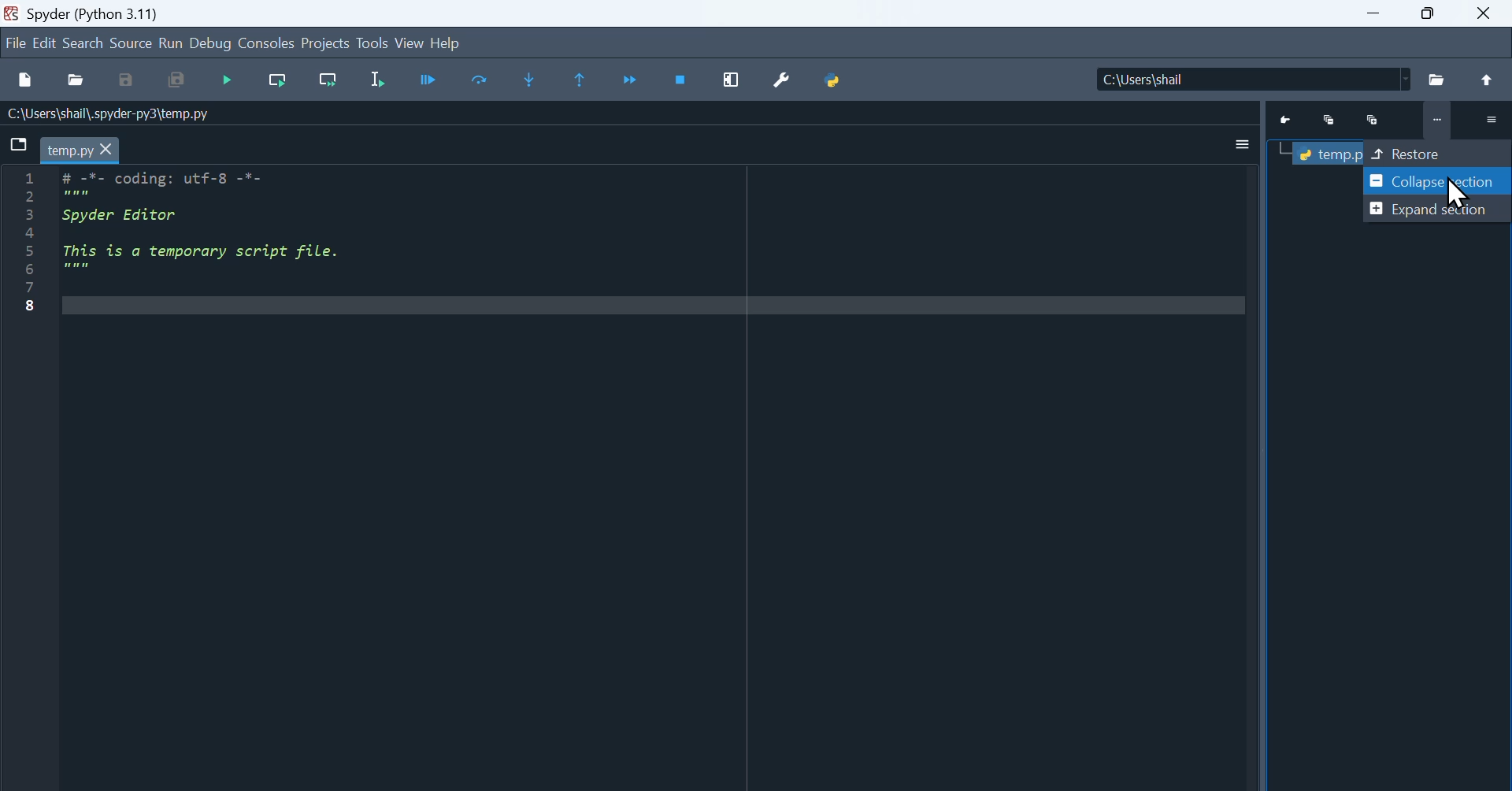  What do you see at coordinates (1432, 180) in the screenshot?
I see `Collapse Section` at bounding box center [1432, 180].